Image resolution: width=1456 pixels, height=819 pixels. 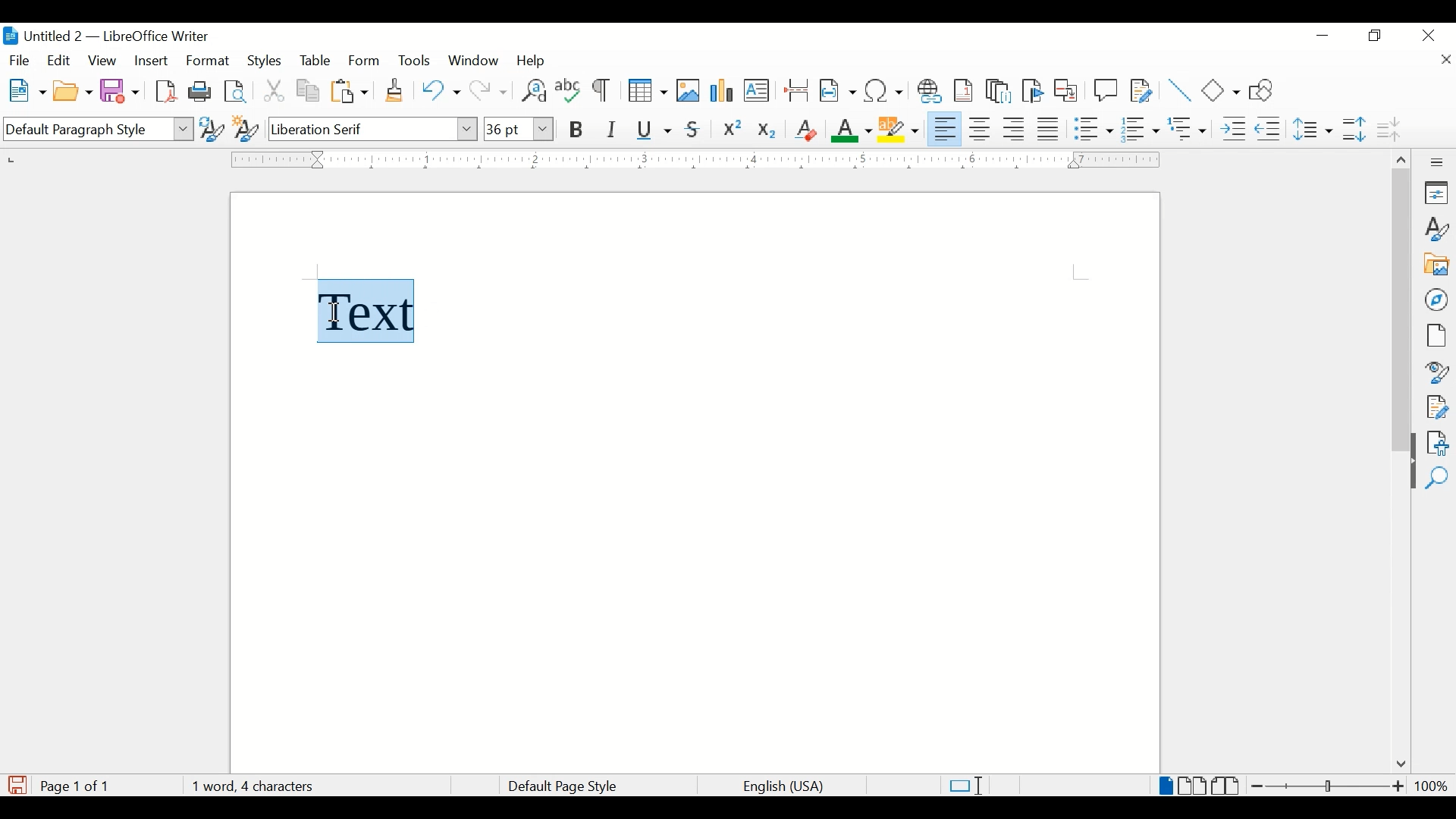 What do you see at coordinates (72, 92) in the screenshot?
I see `open` at bounding box center [72, 92].